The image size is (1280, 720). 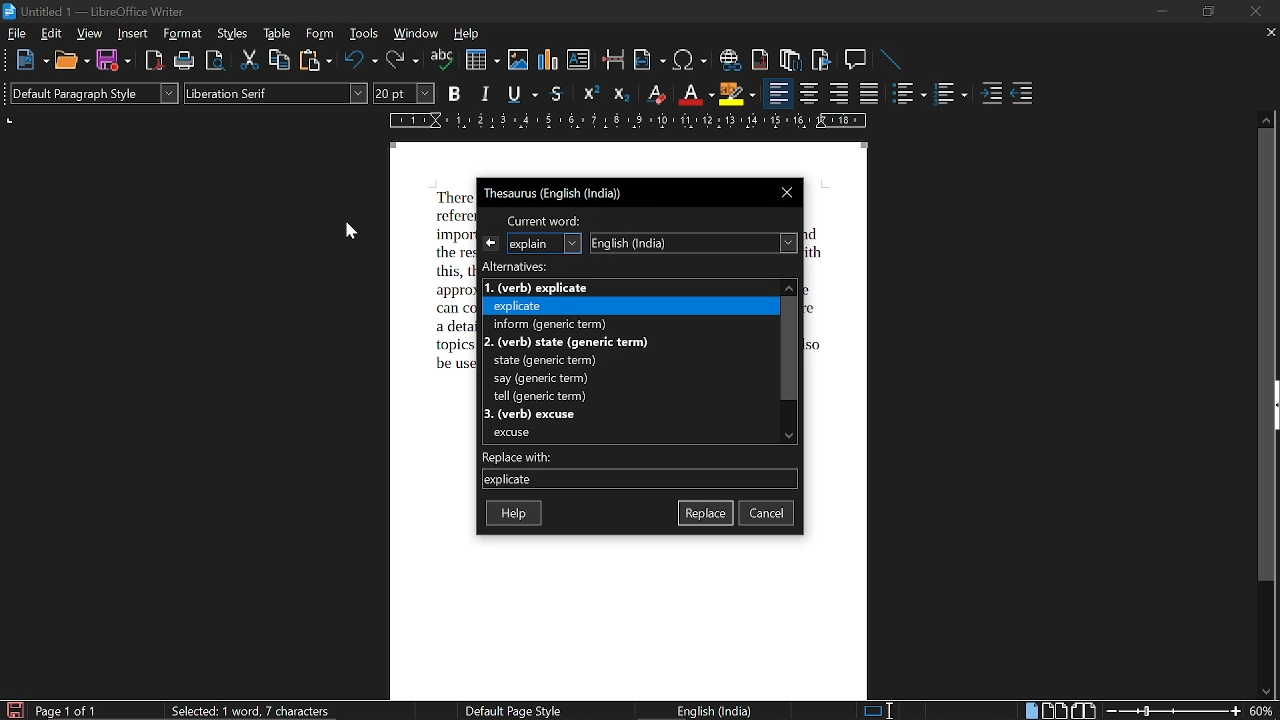 What do you see at coordinates (1083, 711) in the screenshot?
I see `book view` at bounding box center [1083, 711].